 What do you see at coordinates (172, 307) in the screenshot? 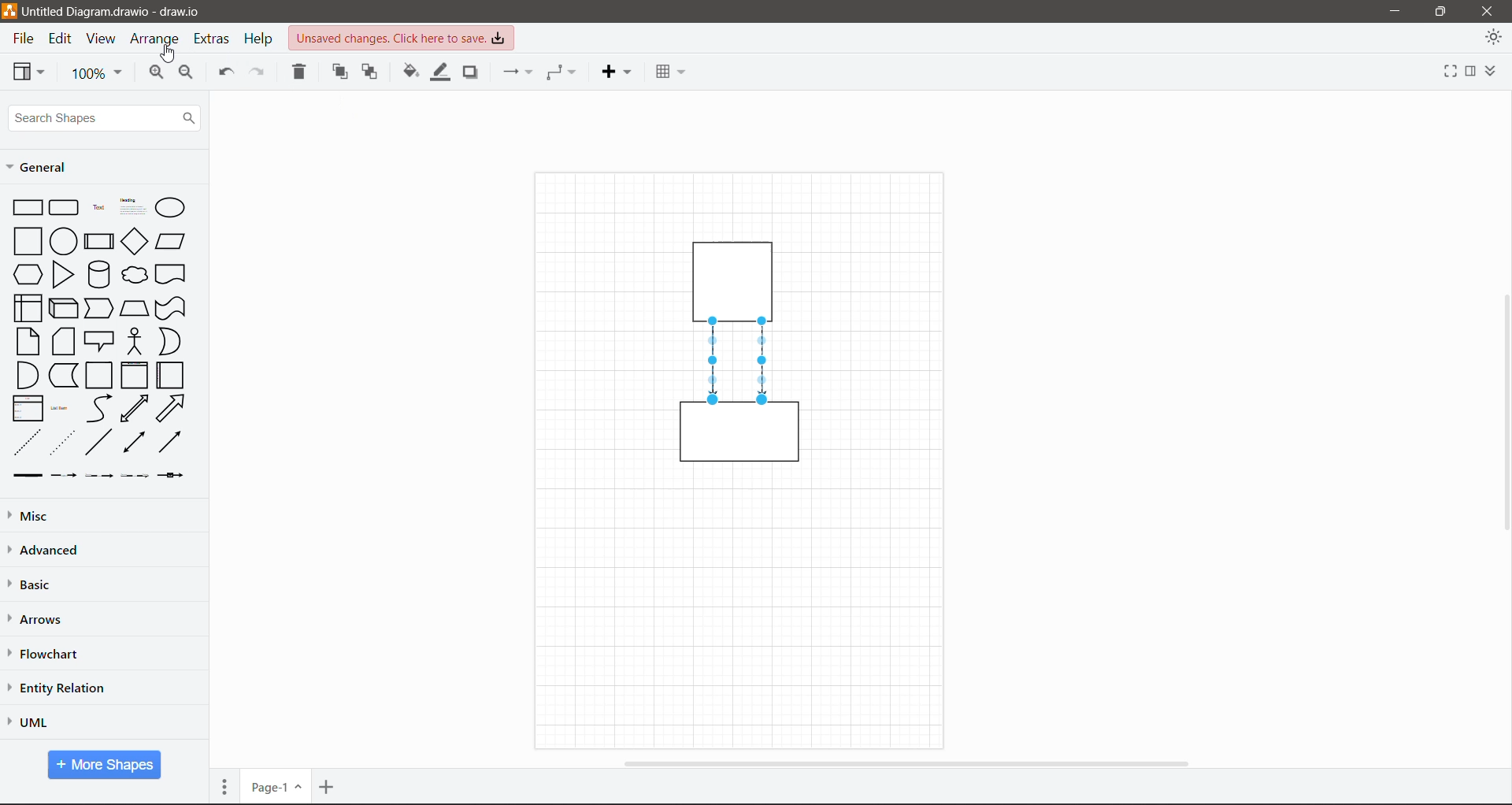
I see `Tape` at bounding box center [172, 307].